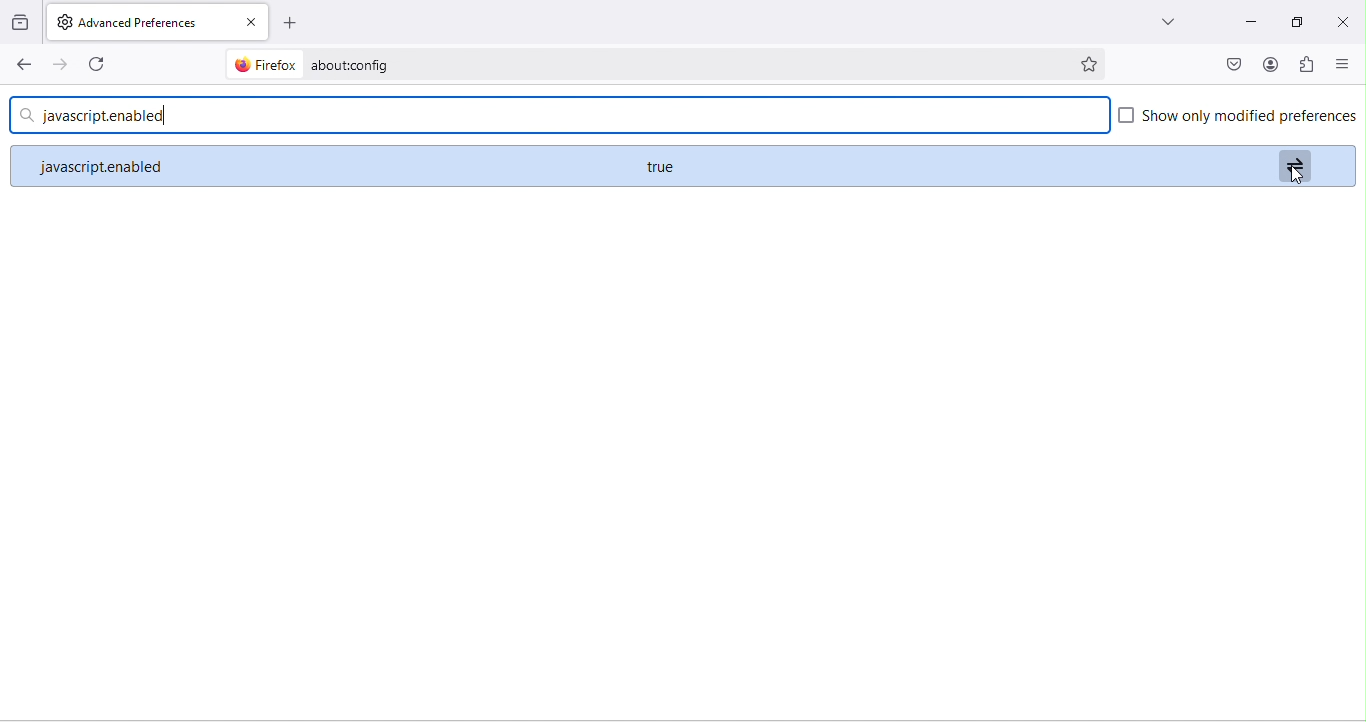 This screenshot has width=1366, height=722. What do you see at coordinates (20, 64) in the screenshot?
I see `back` at bounding box center [20, 64].